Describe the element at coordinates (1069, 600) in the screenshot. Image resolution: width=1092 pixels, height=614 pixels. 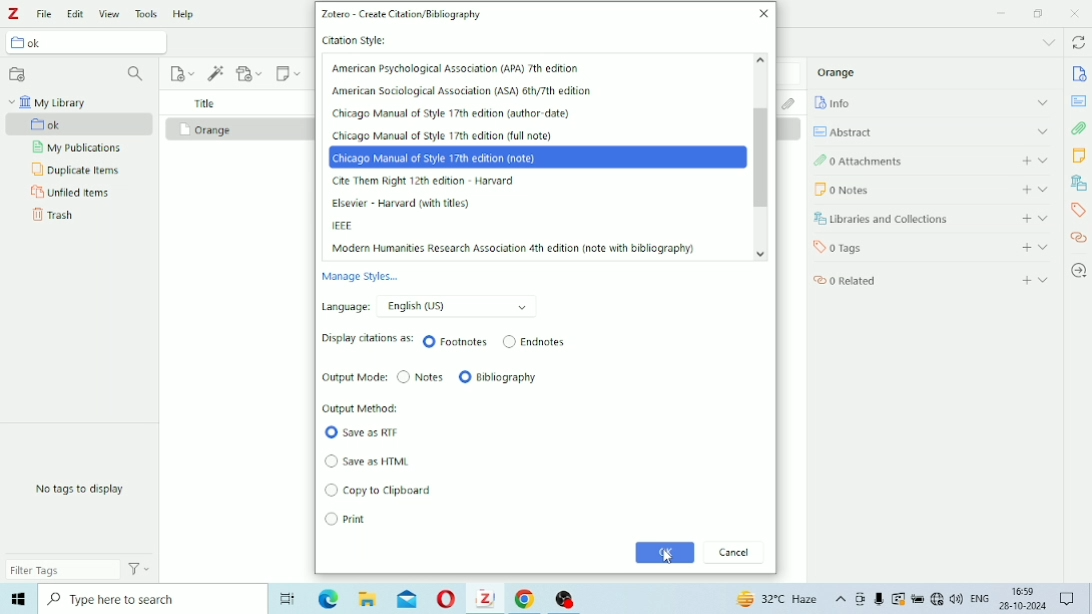
I see `Notifications` at that location.